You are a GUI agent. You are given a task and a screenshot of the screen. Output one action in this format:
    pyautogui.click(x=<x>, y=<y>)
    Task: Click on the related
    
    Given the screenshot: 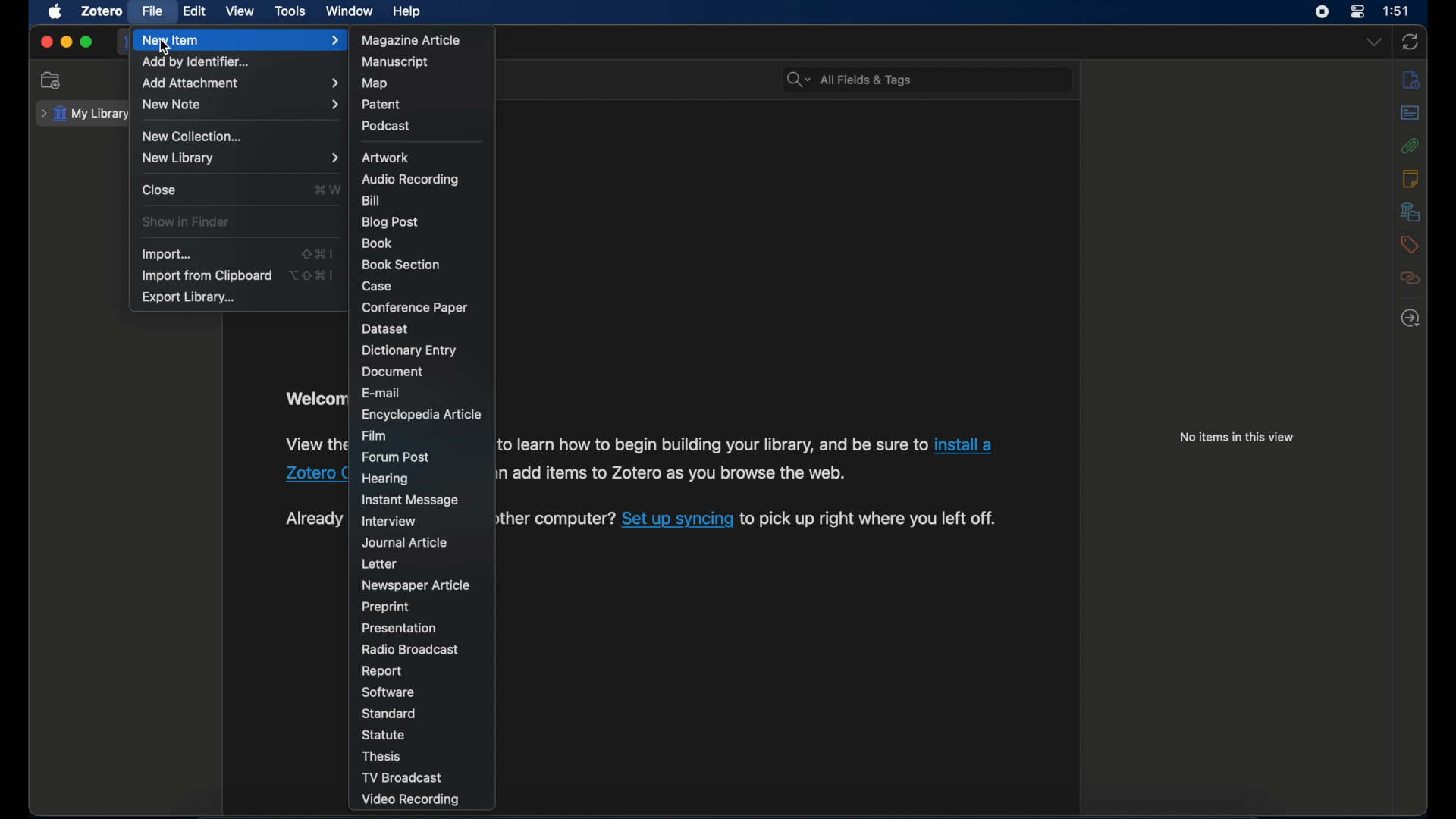 What is the action you would take?
    pyautogui.click(x=1410, y=278)
    